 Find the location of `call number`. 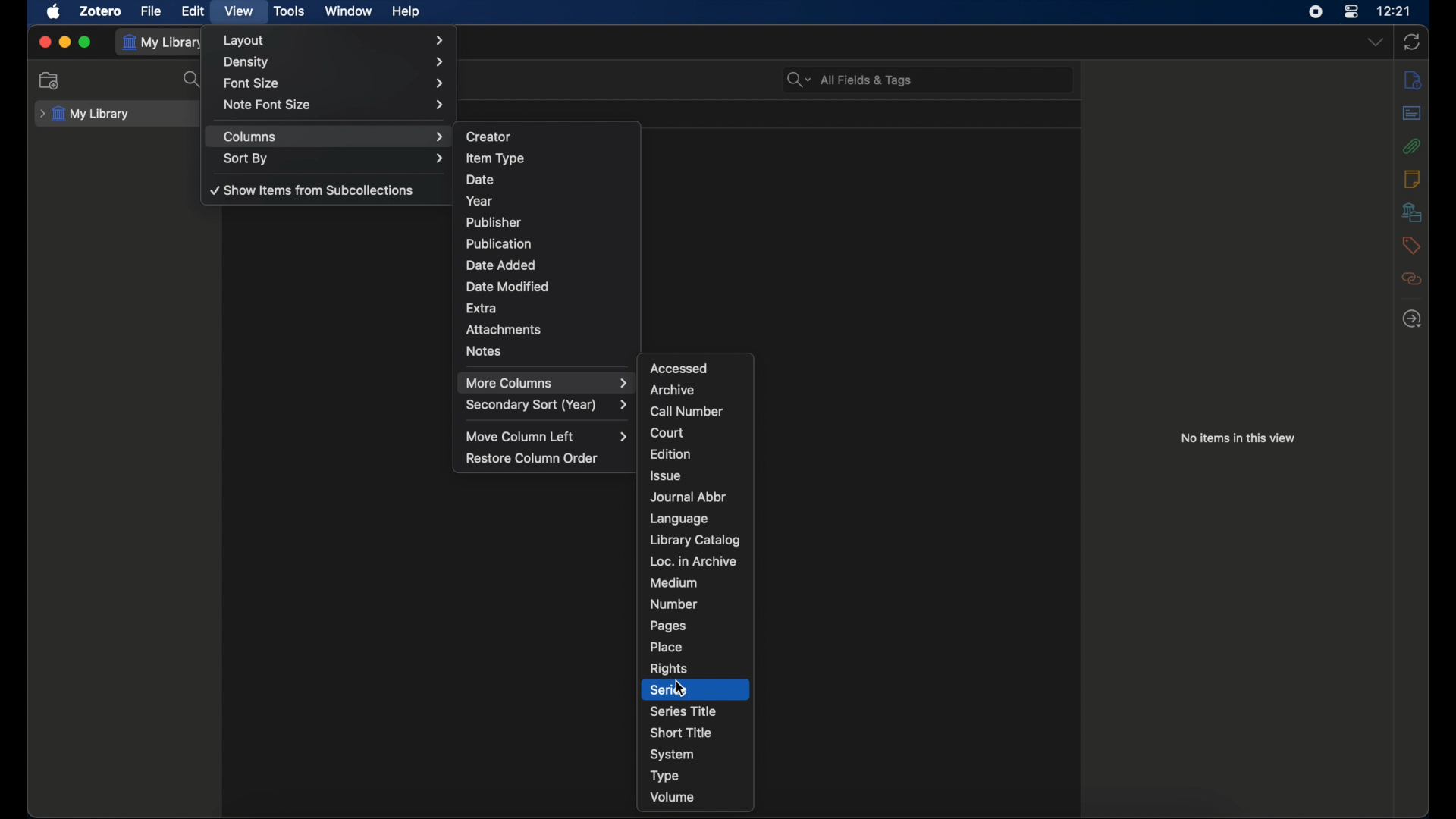

call number is located at coordinates (687, 412).